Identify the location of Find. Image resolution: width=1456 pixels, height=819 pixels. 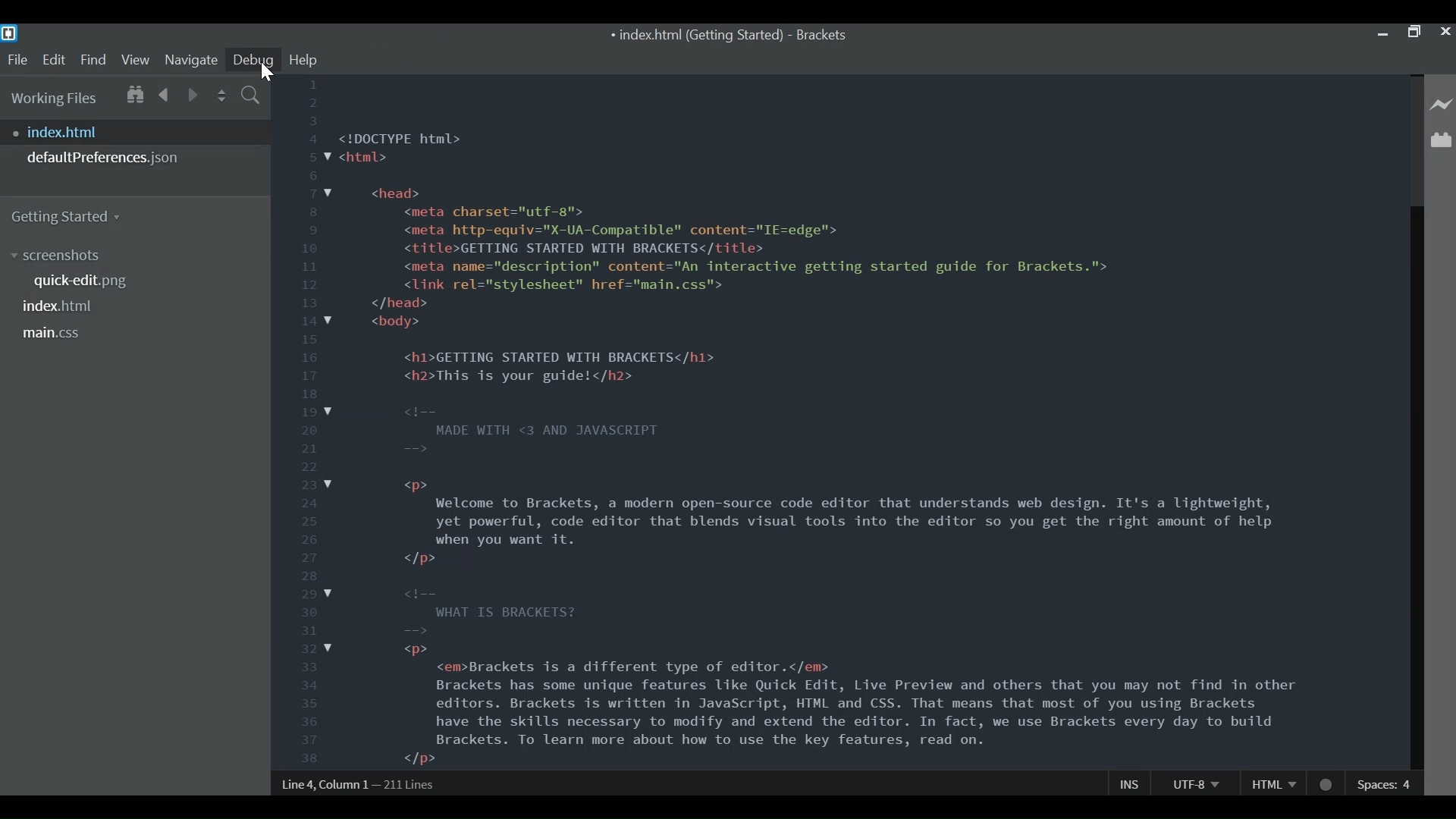
(93, 59).